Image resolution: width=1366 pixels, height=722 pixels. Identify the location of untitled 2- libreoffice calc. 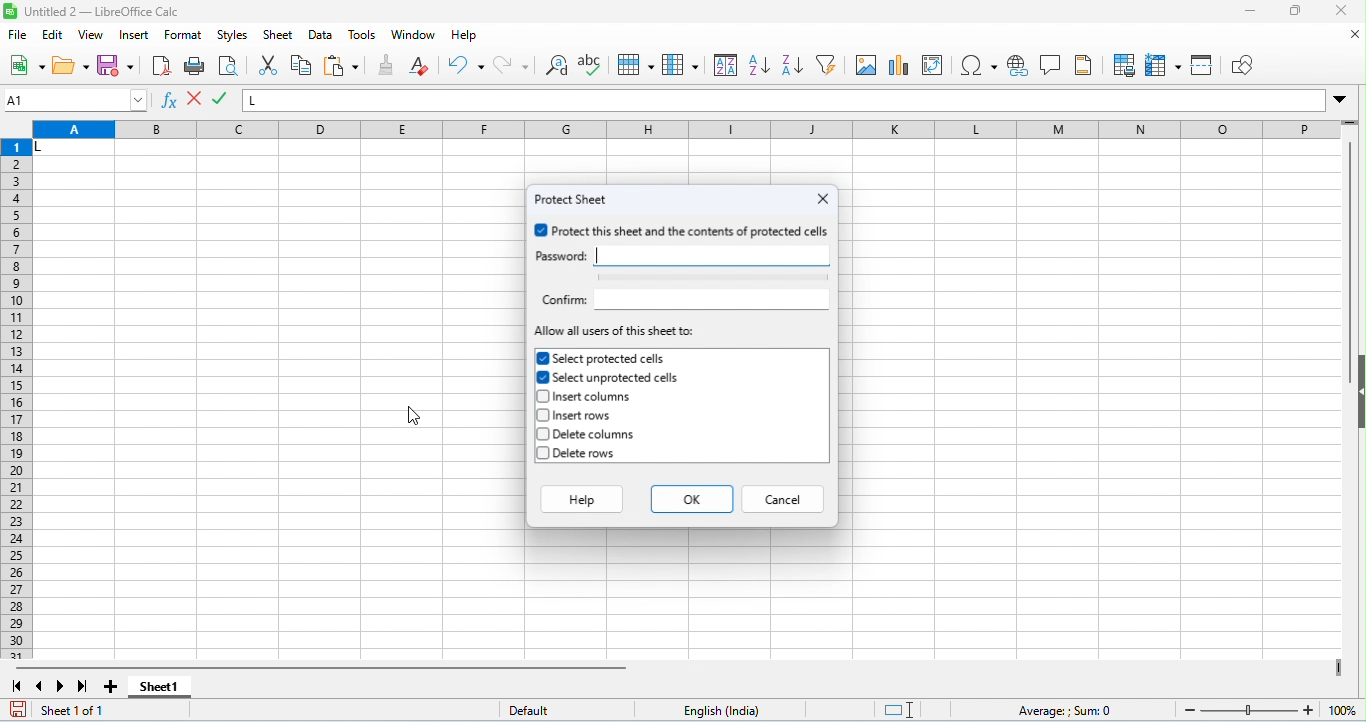
(94, 11).